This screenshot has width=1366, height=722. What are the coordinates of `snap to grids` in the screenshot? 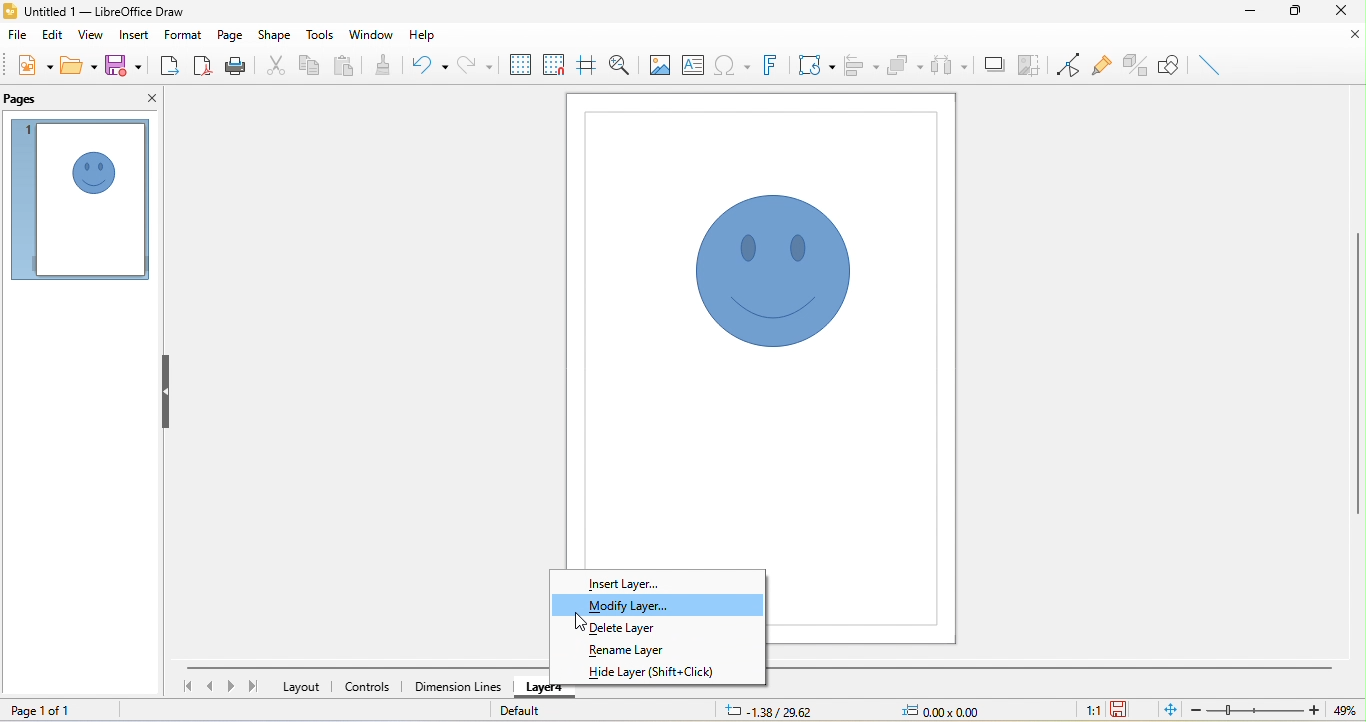 It's located at (556, 68).